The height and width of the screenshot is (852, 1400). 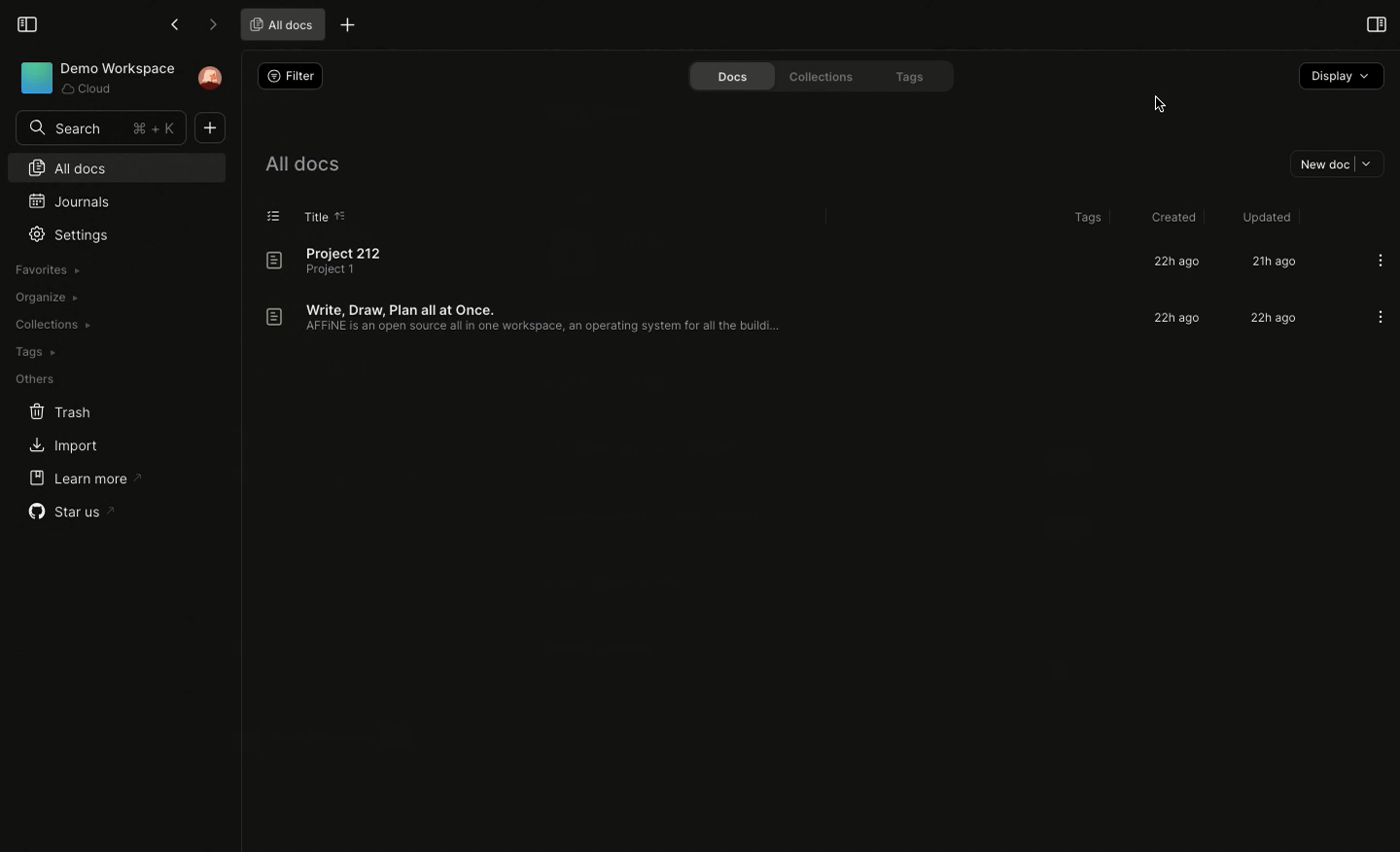 I want to click on Collapse sidebar, so click(x=25, y=22).